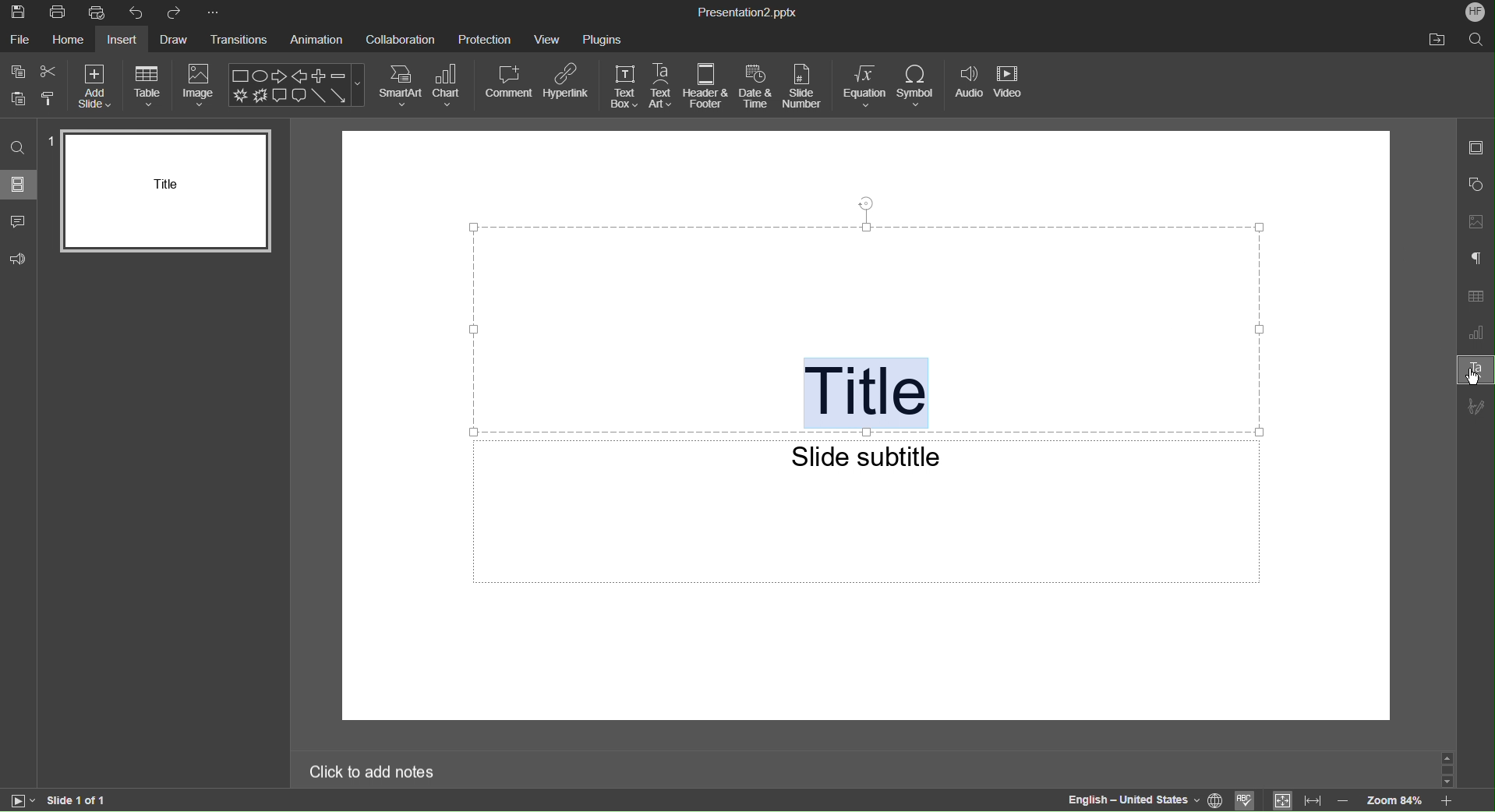 The image size is (1495, 812). I want to click on Feedback and Support, so click(19, 259).